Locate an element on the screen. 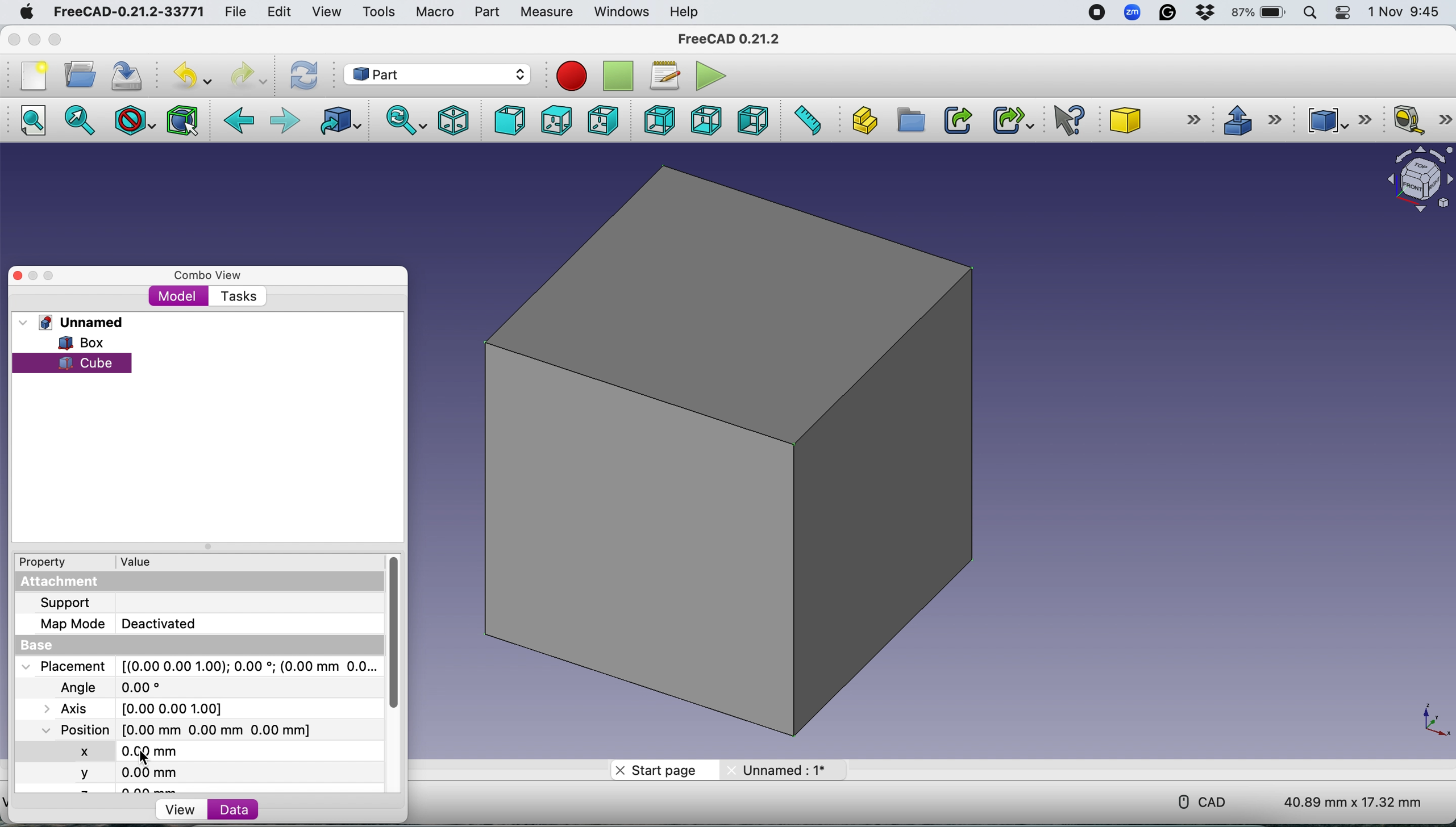  Macros is located at coordinates (668, 76).